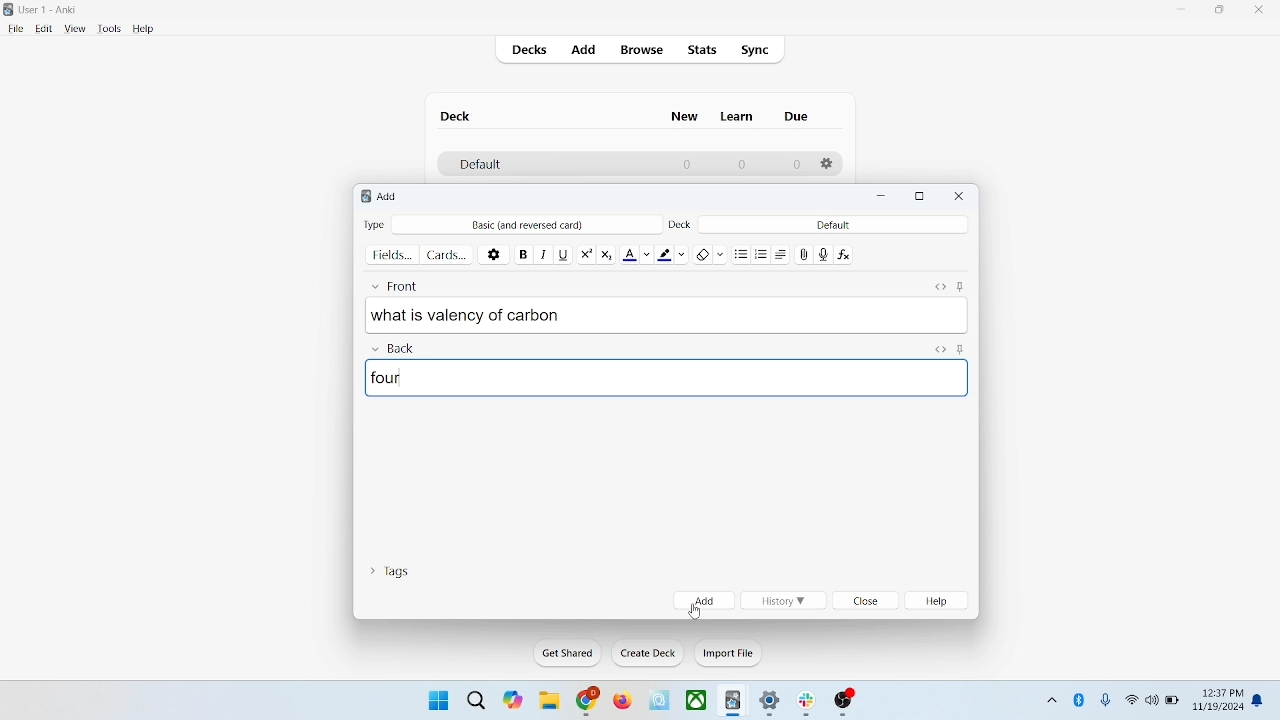 The width and height of the screenshot is (1280, 720). Describe the element at coordinates (479, 165) in the screenshot. I see `default` at that location.